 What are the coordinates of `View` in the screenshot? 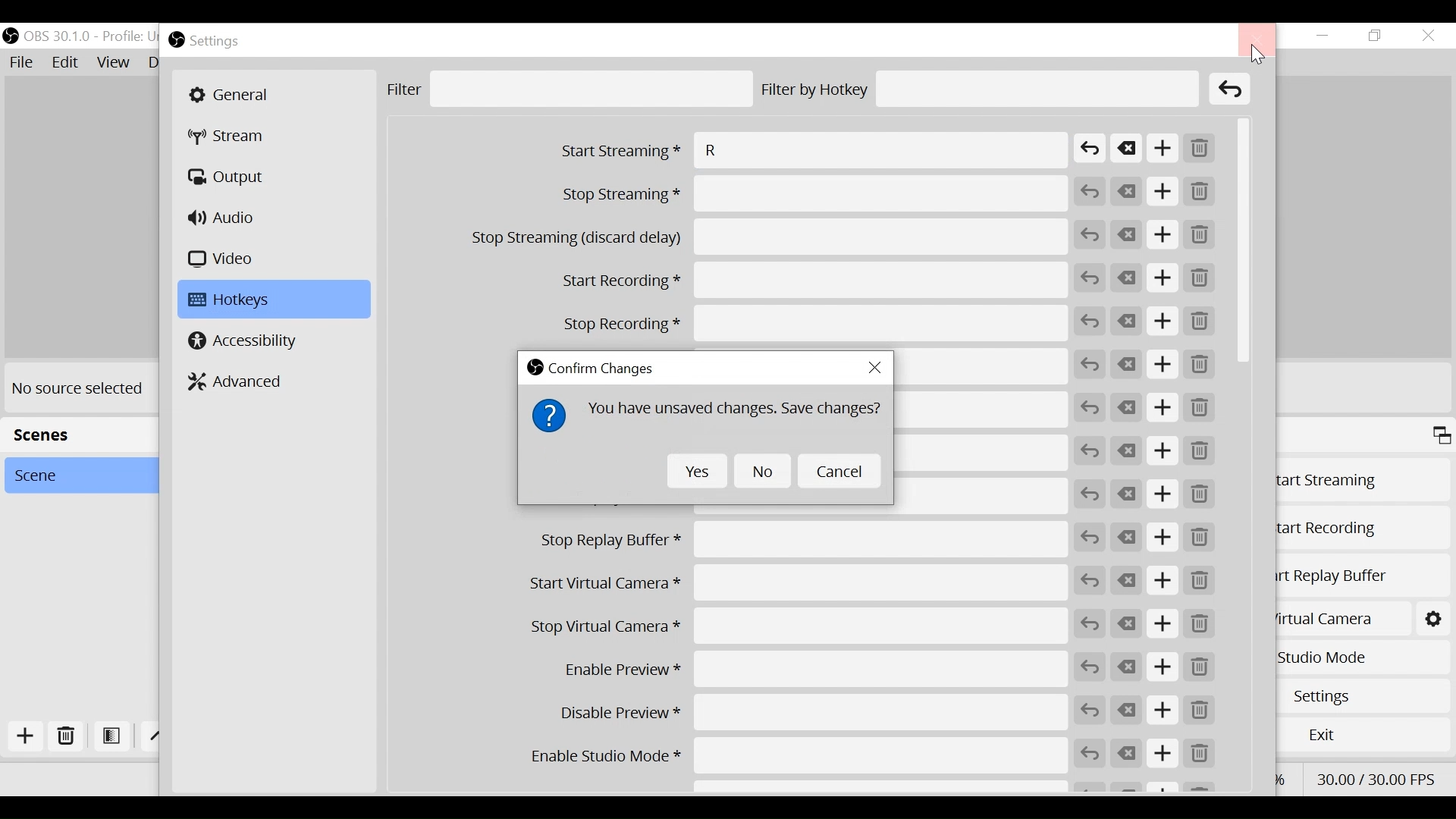 It's located at (115, 62).